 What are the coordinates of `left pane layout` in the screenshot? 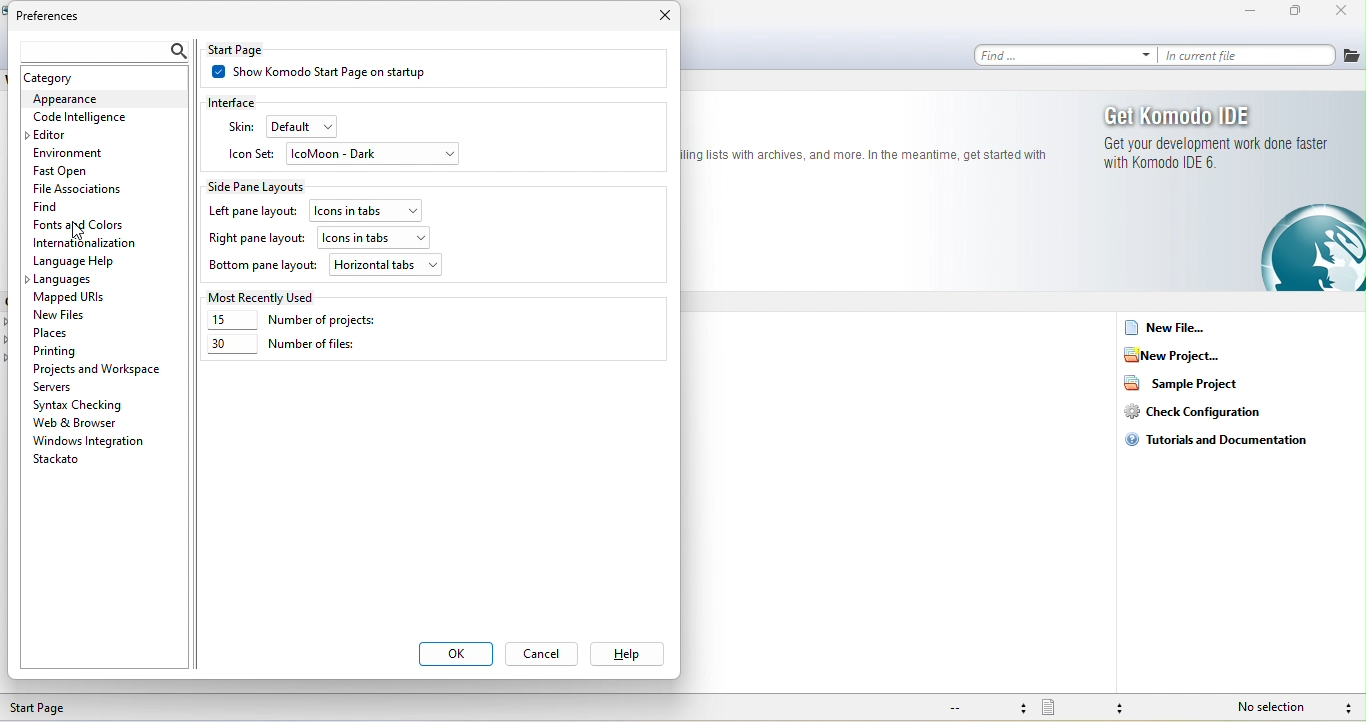 It's located at (250, 213).